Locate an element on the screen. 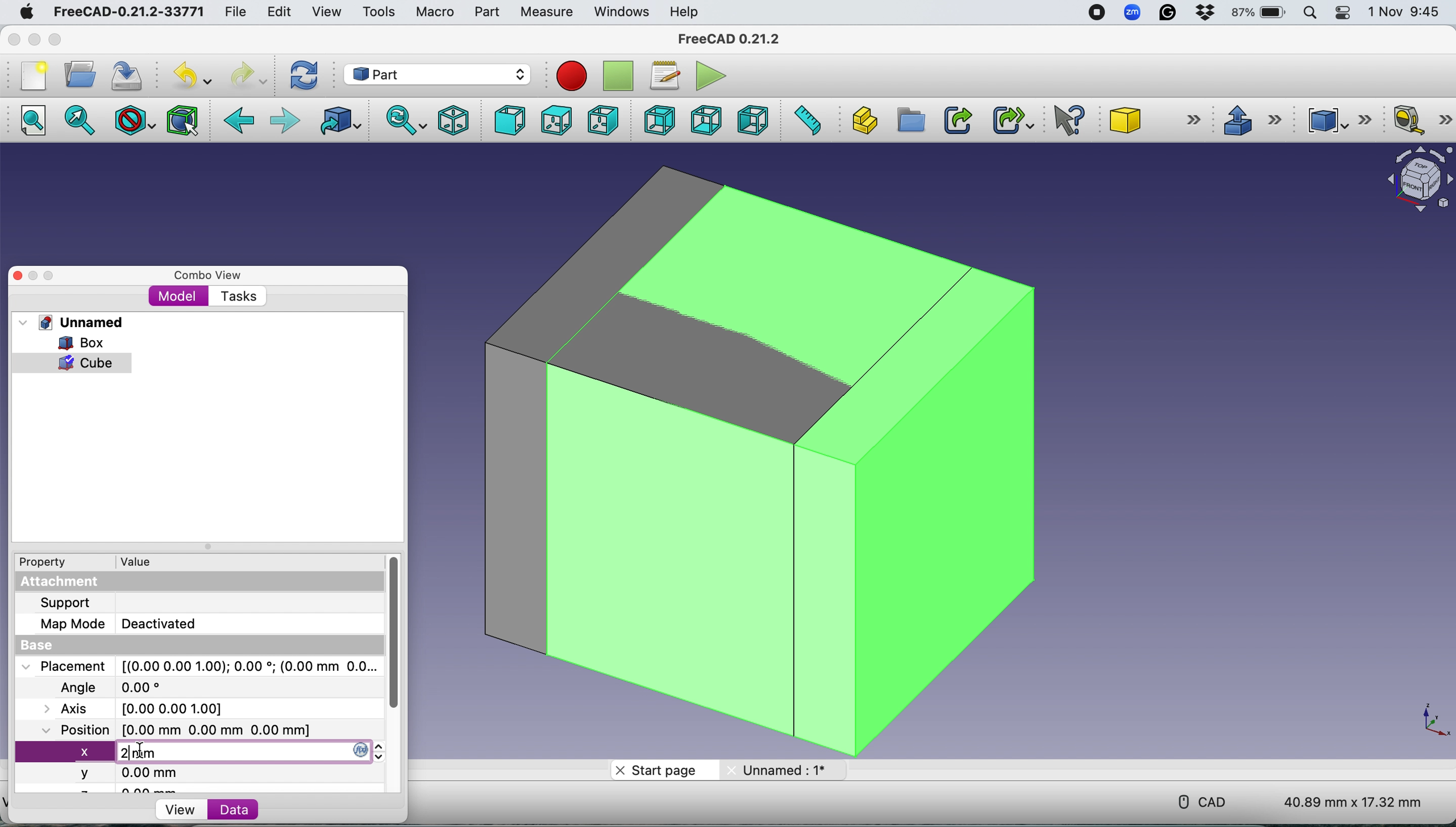 This screenshot has height=827, width=1456. Create part is located at coordinates (861, 120).